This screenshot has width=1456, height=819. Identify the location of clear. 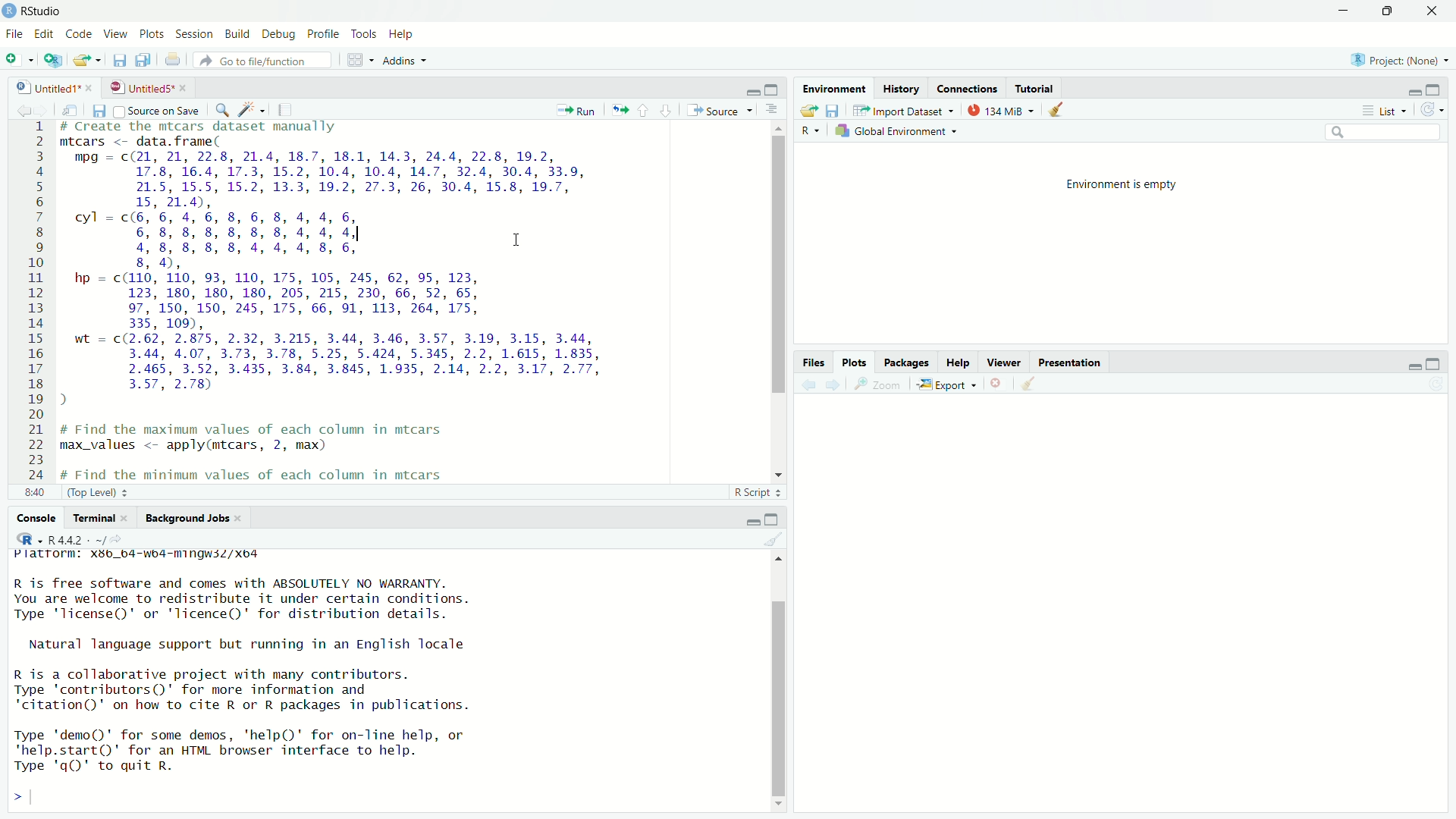
(771, 541).